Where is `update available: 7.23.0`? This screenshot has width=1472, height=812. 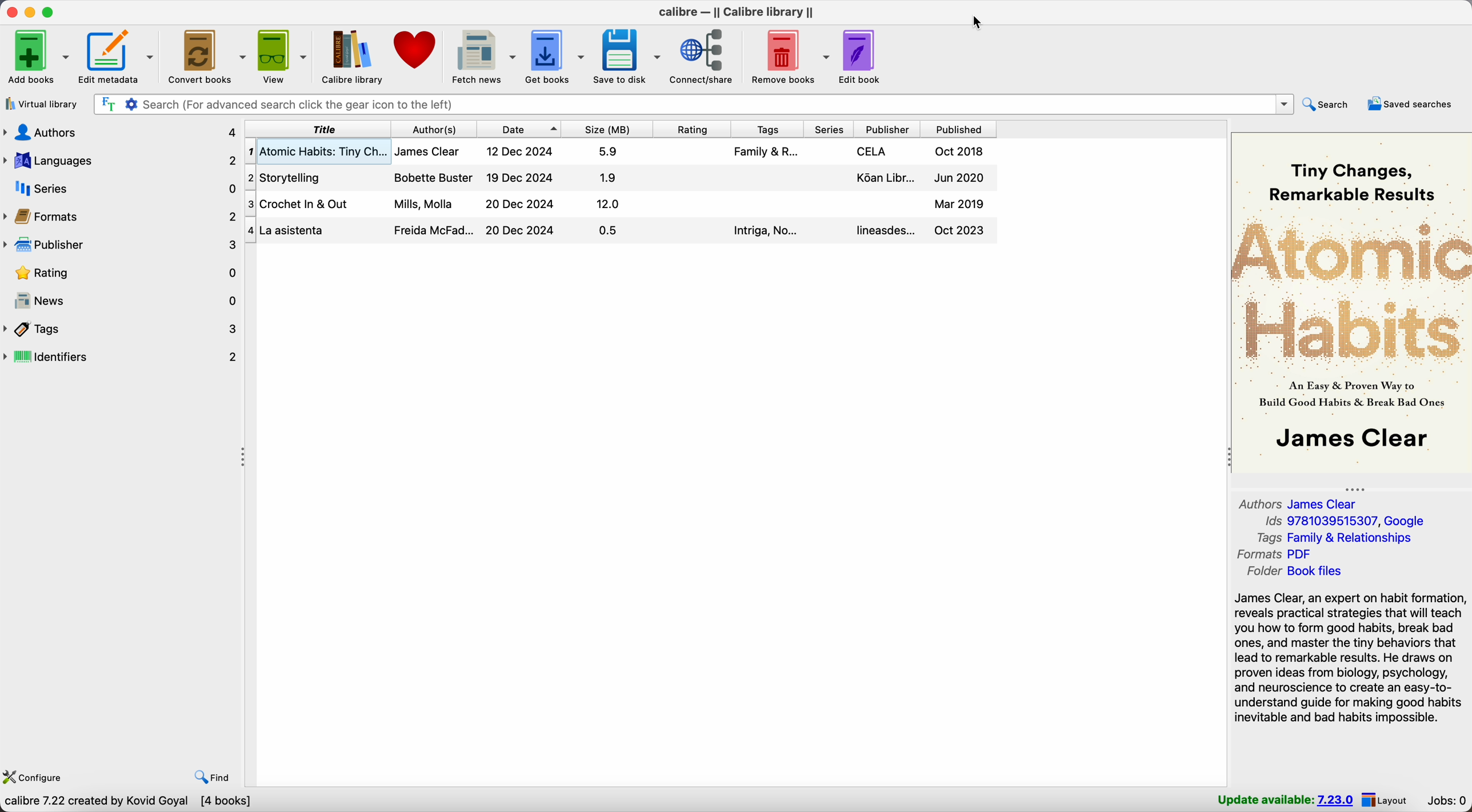 update available: 7.23.0 is located at coordinates (1283, 799).